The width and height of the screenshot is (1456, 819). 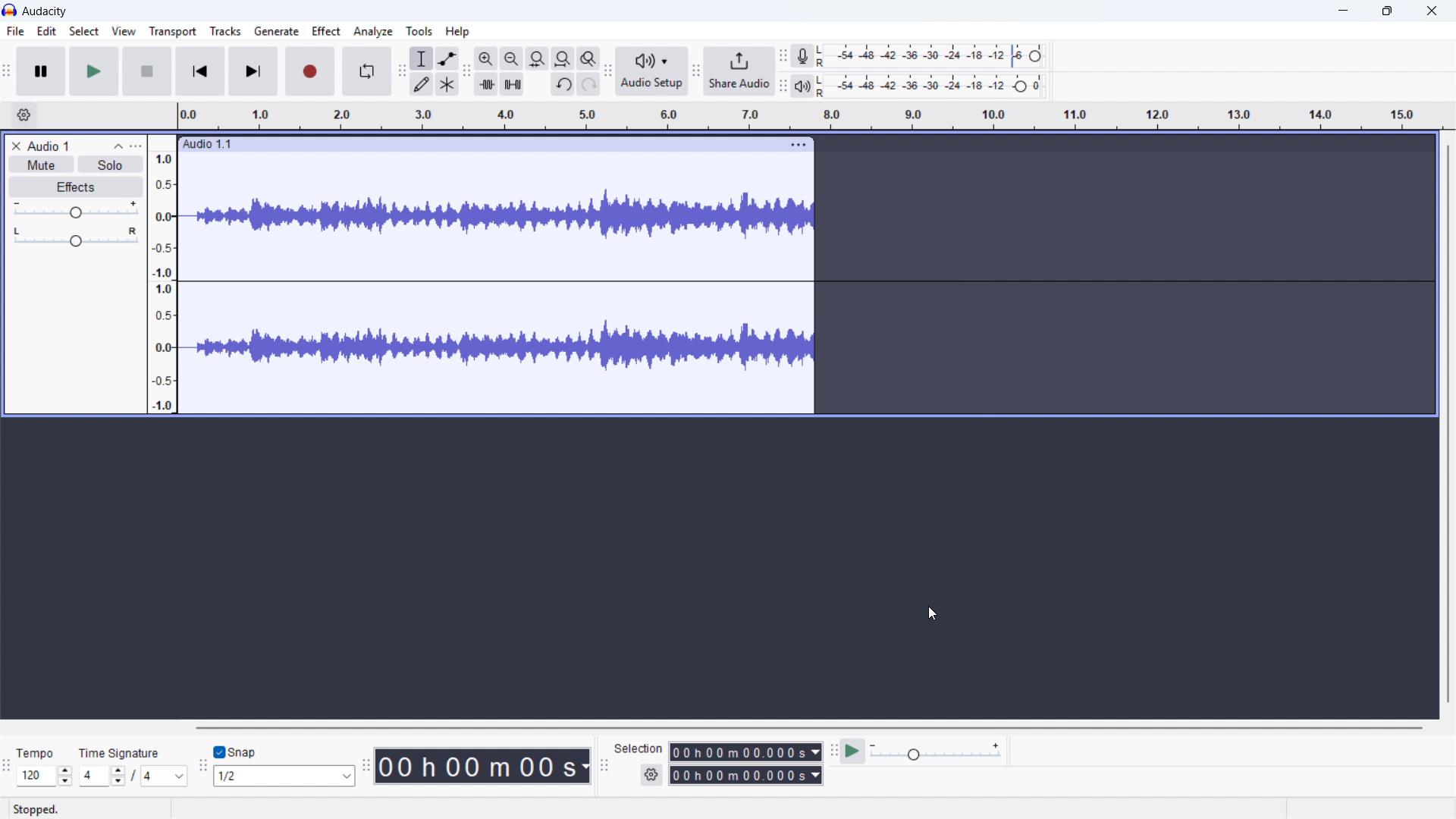 What do you see at coordinates (203, 765) in the screenshot?
I see `Snapping toolbar ` at bounding box center [203, 765].